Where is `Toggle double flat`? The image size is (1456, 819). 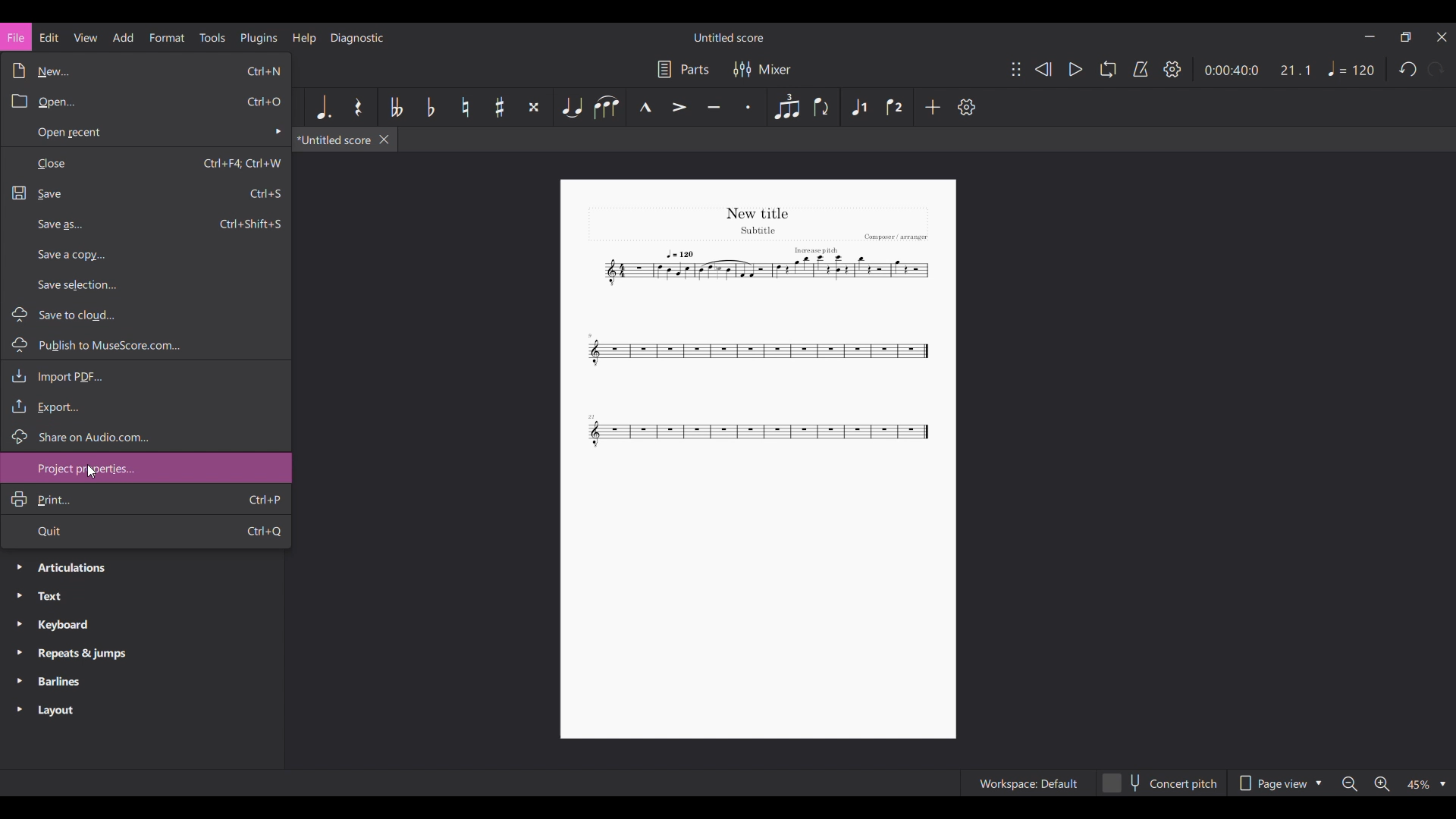
Toggle double flat is located at coordinates (395, 107).